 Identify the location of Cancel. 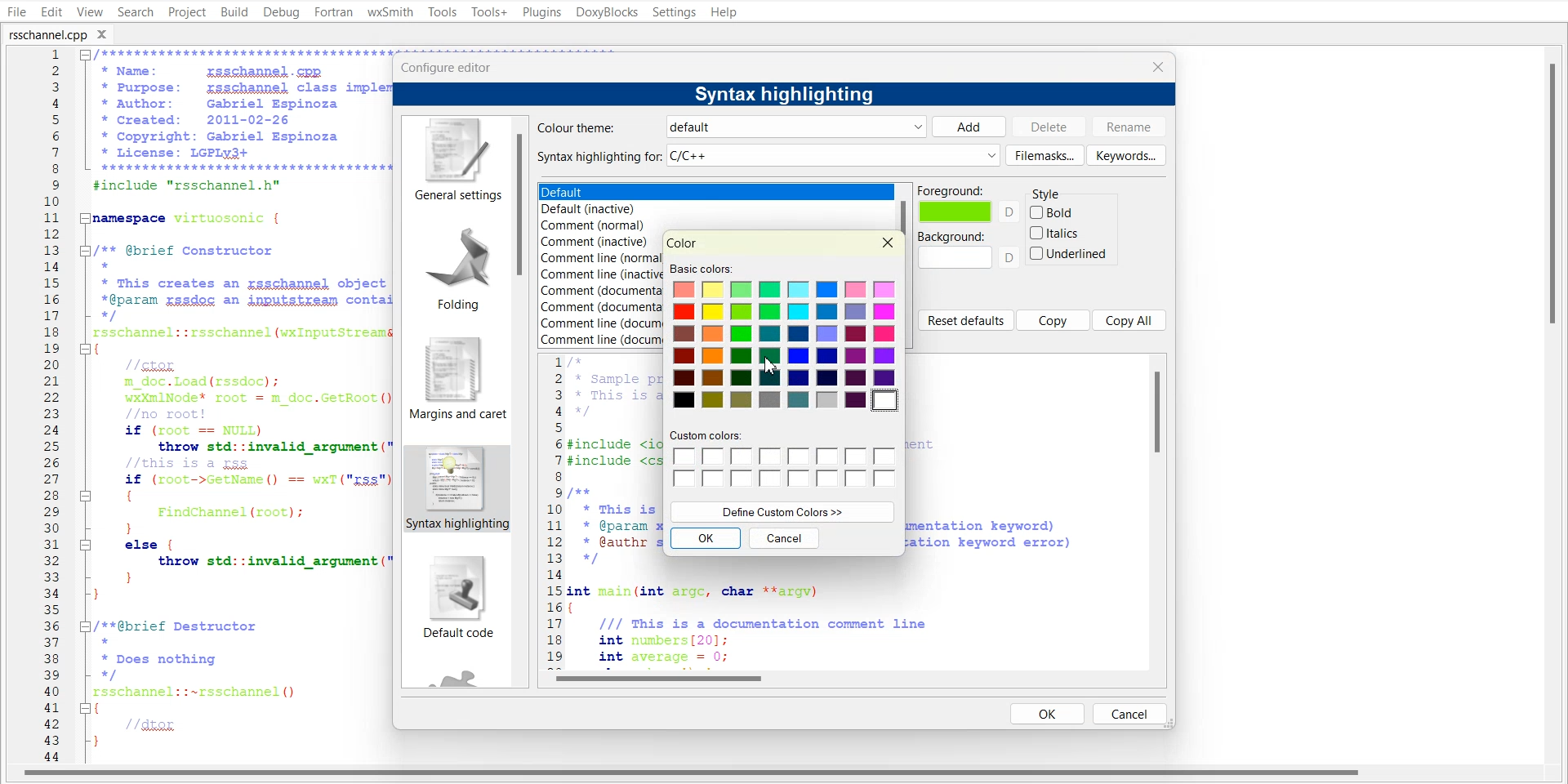
(785, 538).